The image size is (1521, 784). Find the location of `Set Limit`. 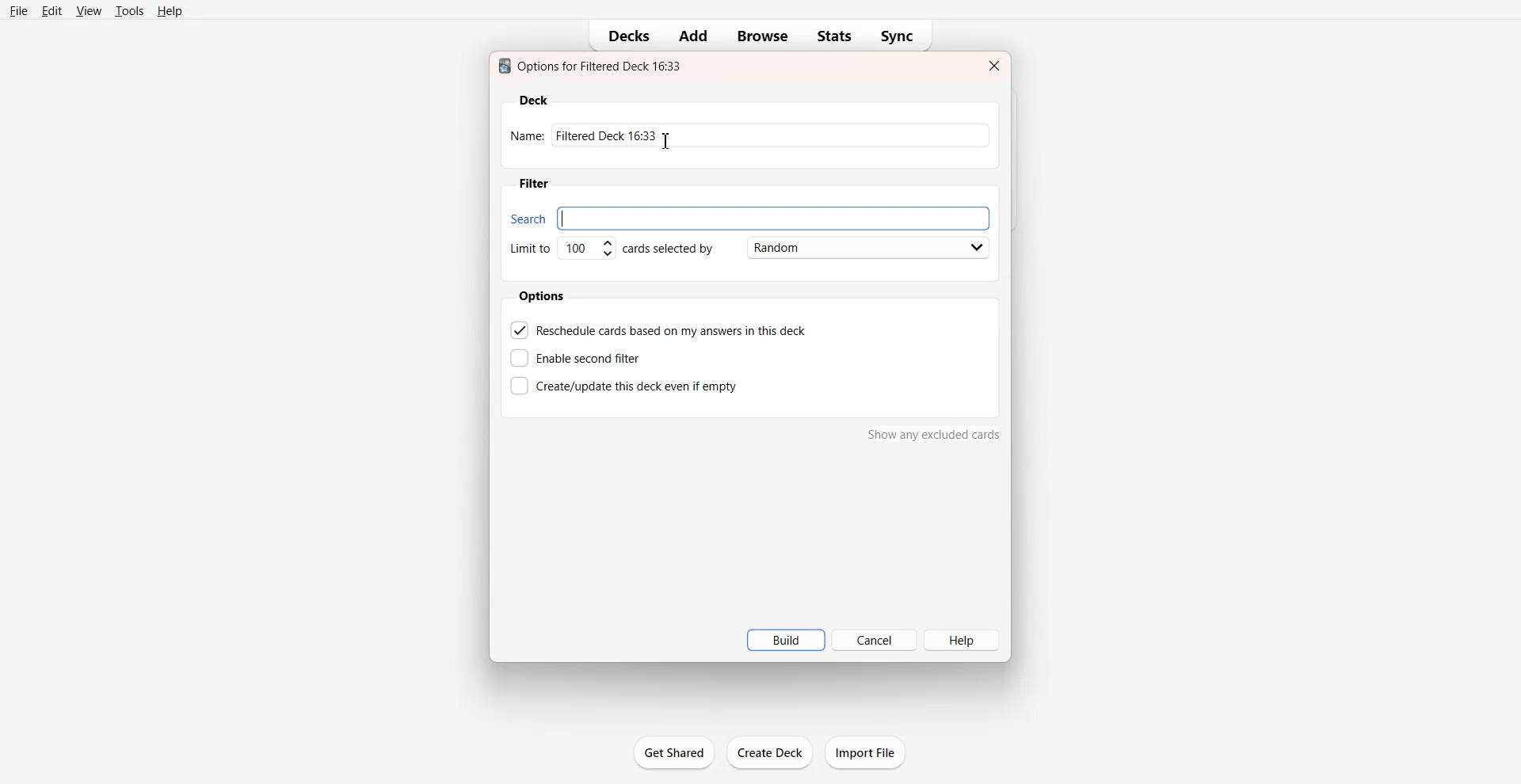

Set Limit is located at coordinates (561, 249).